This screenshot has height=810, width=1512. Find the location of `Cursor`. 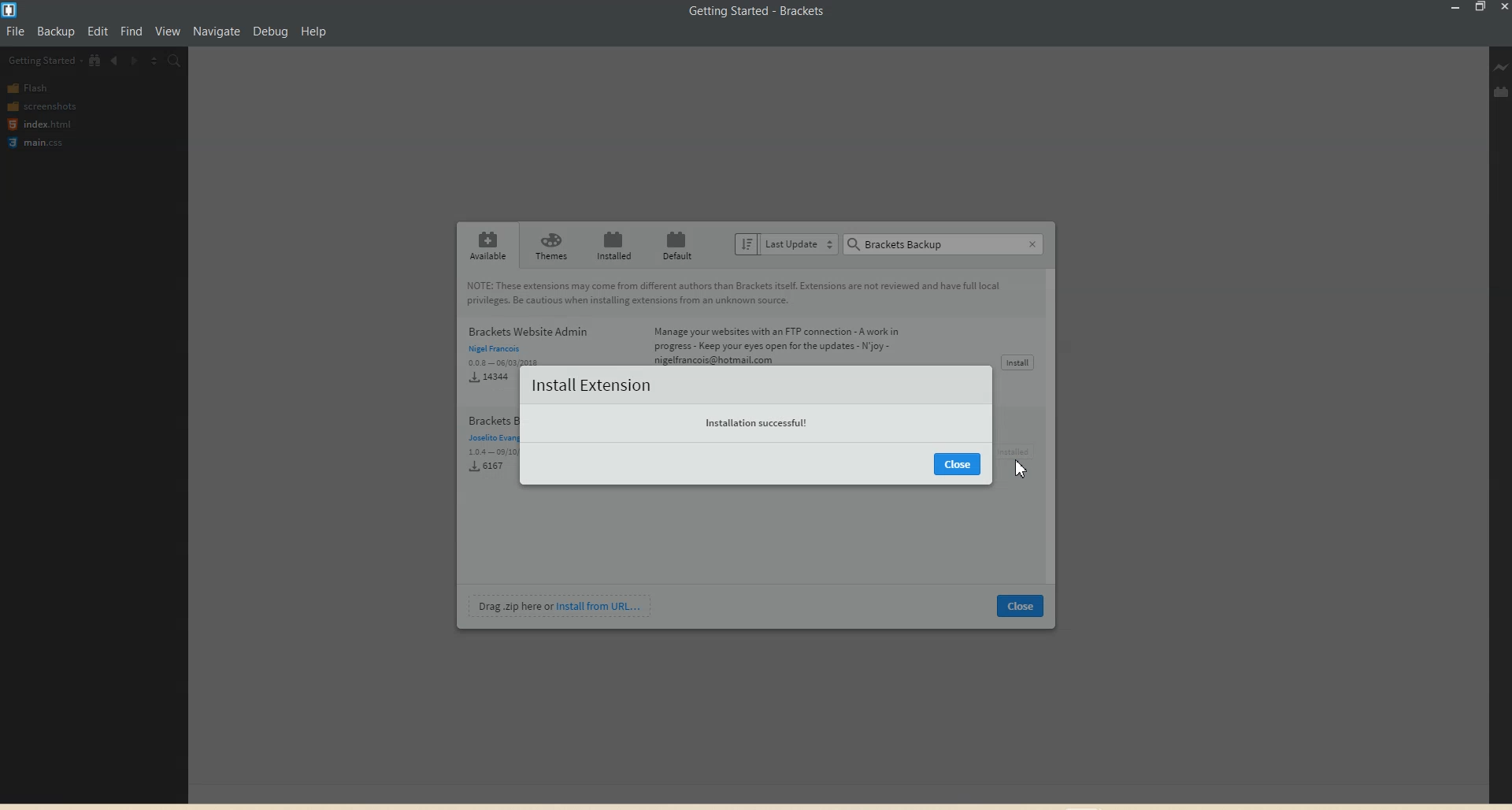

Cursor is located at coordinates (1023, 470).